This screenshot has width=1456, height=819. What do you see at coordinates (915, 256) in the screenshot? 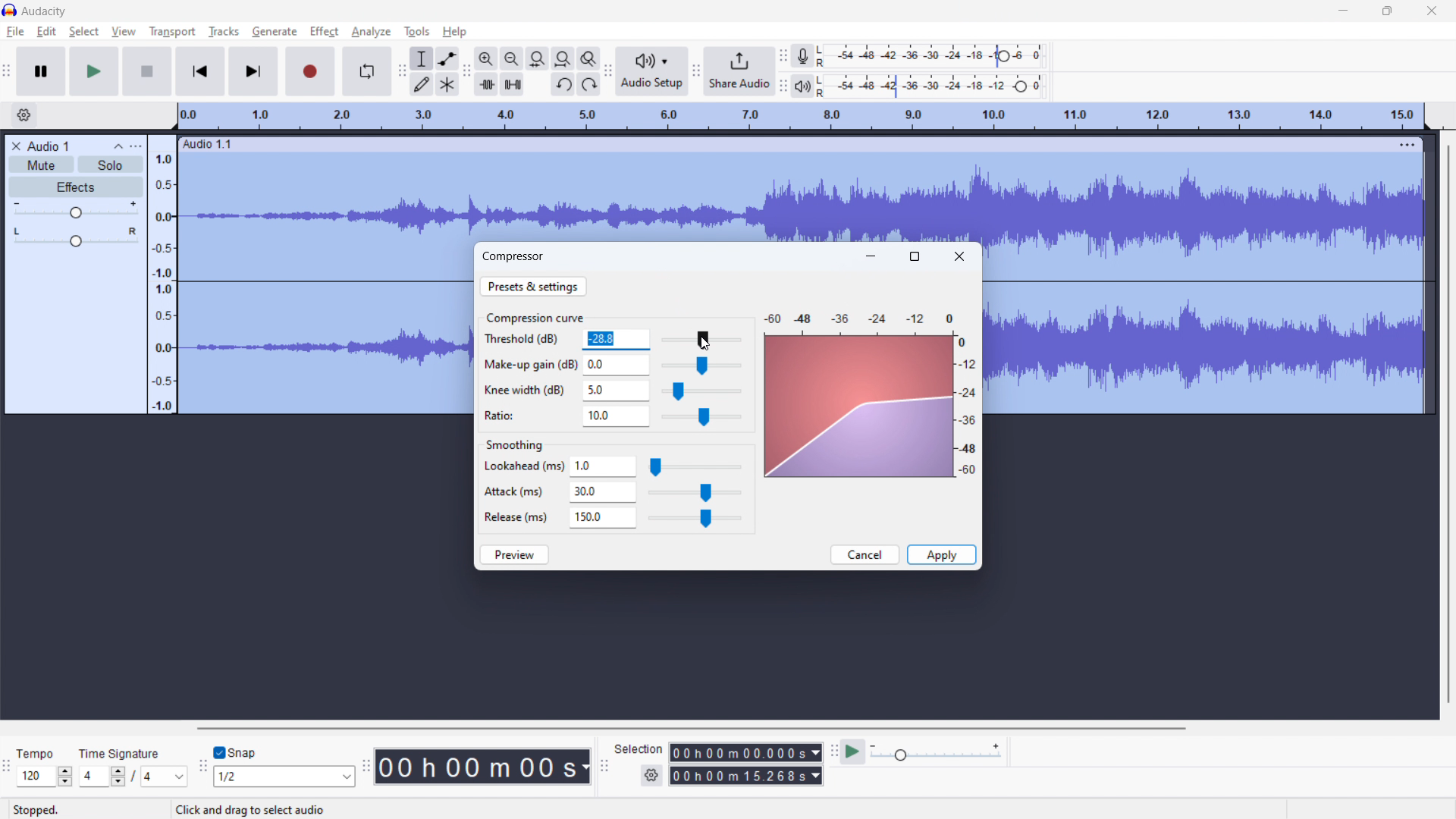
I see `maximize` at bounding box center [915, 256].